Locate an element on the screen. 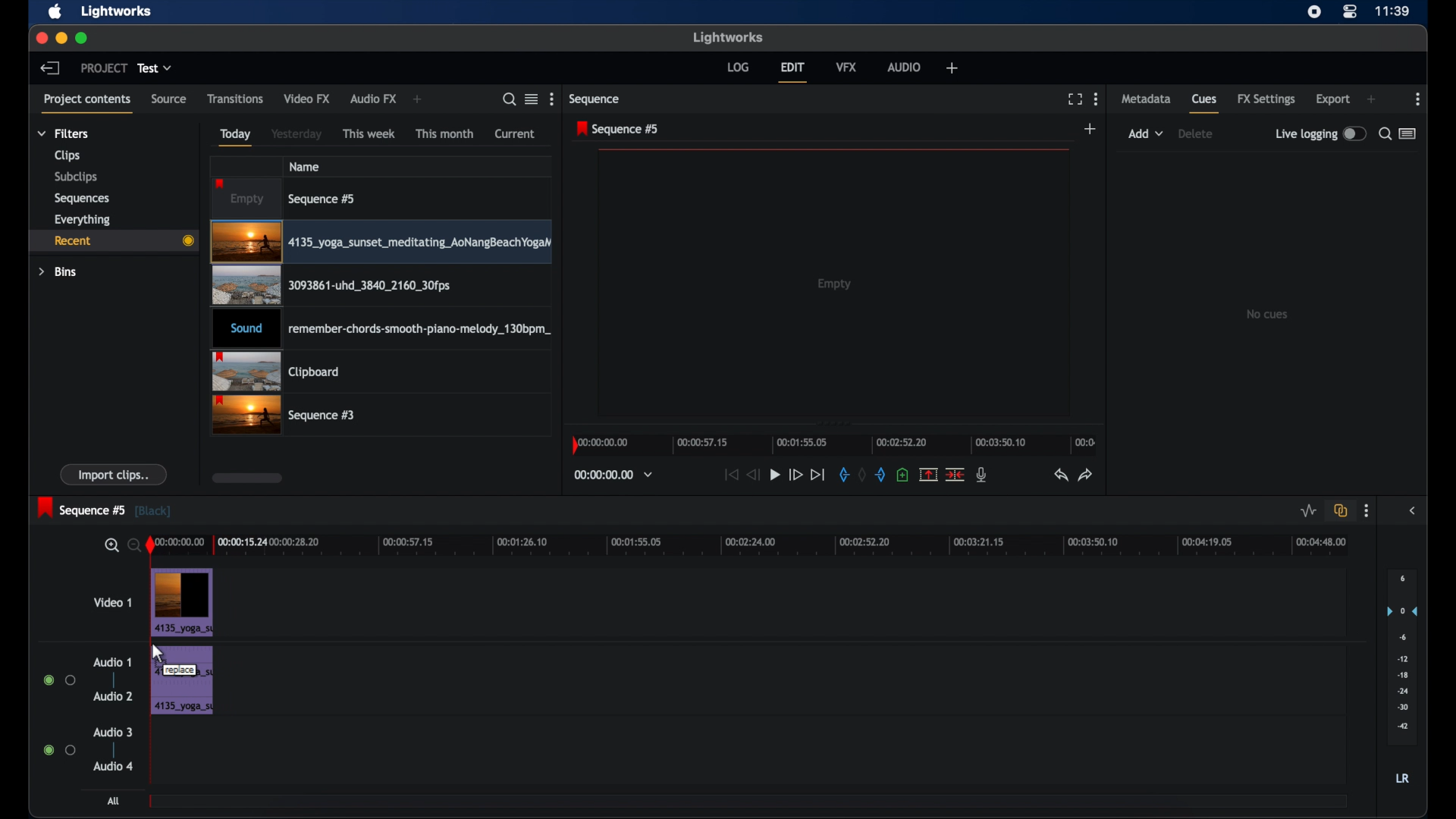 This screenshot has width=1456, height=819. lightworks is located at coordinates (117, 11).